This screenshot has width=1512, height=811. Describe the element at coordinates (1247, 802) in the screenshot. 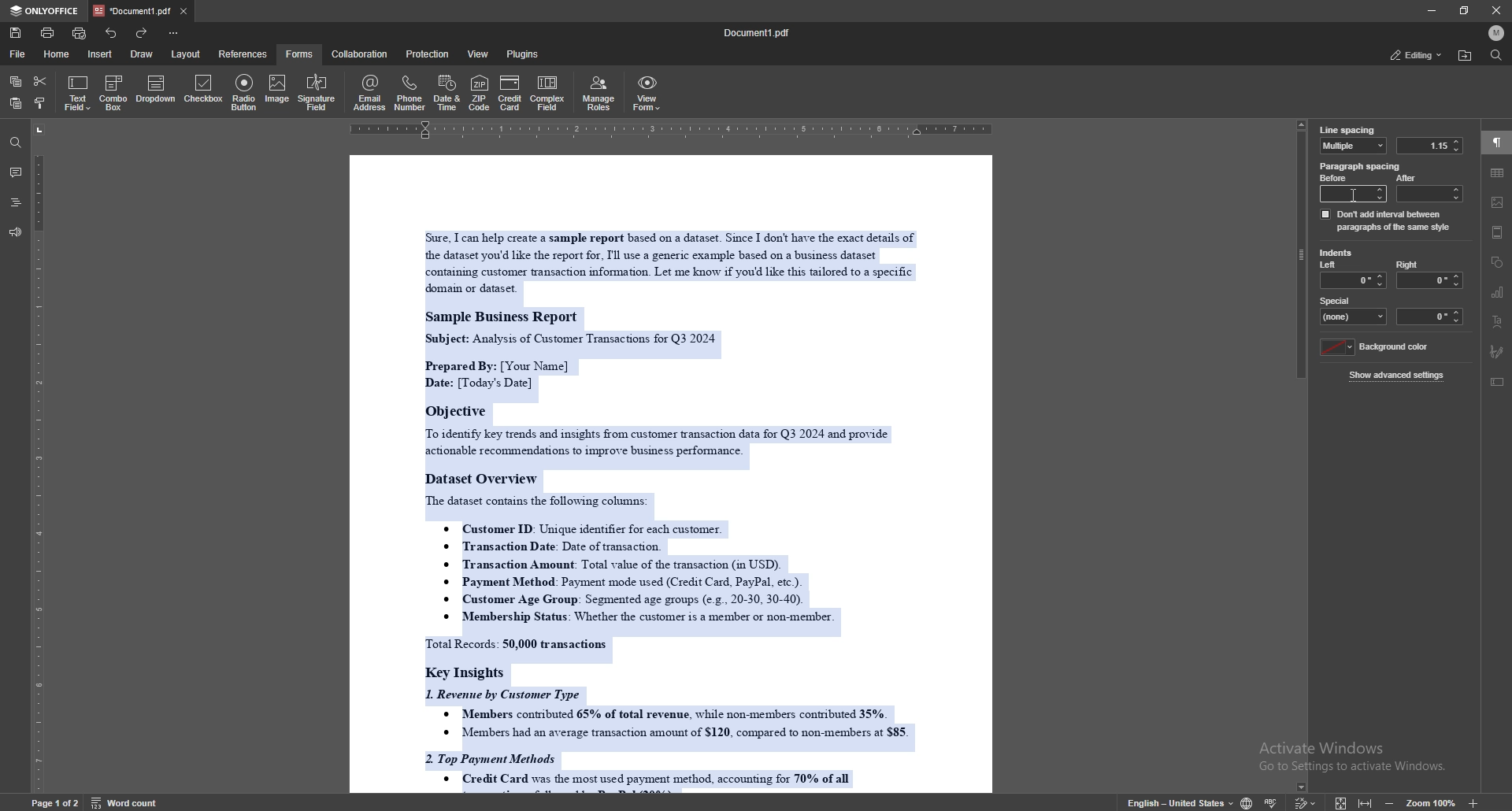

I see `change doc language` at that location.